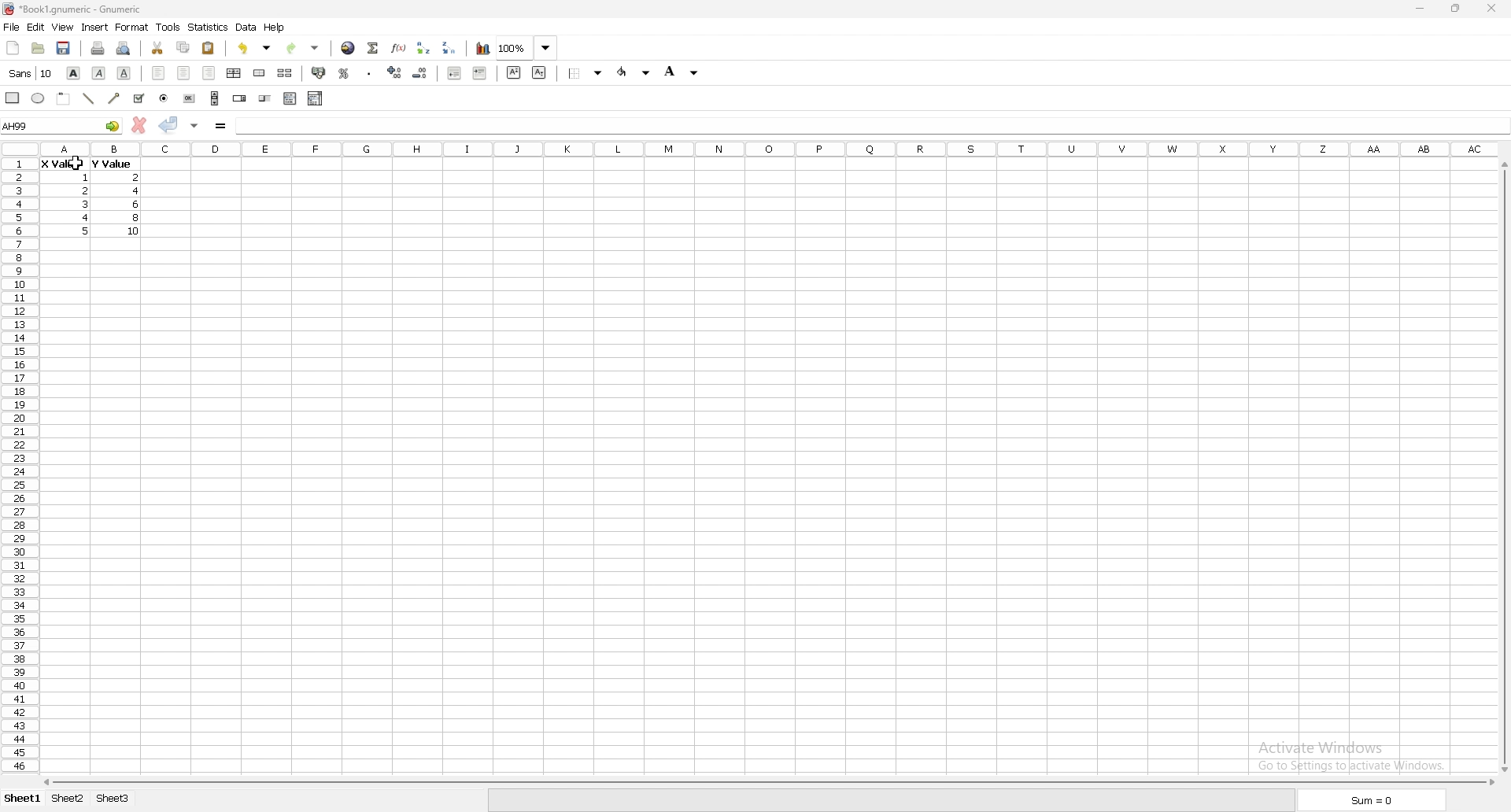 The width and height of the screenshot is (1511, 812). Describe the element at coordinates (38, 98) in the screenshot. I see `ellipse` at that location.